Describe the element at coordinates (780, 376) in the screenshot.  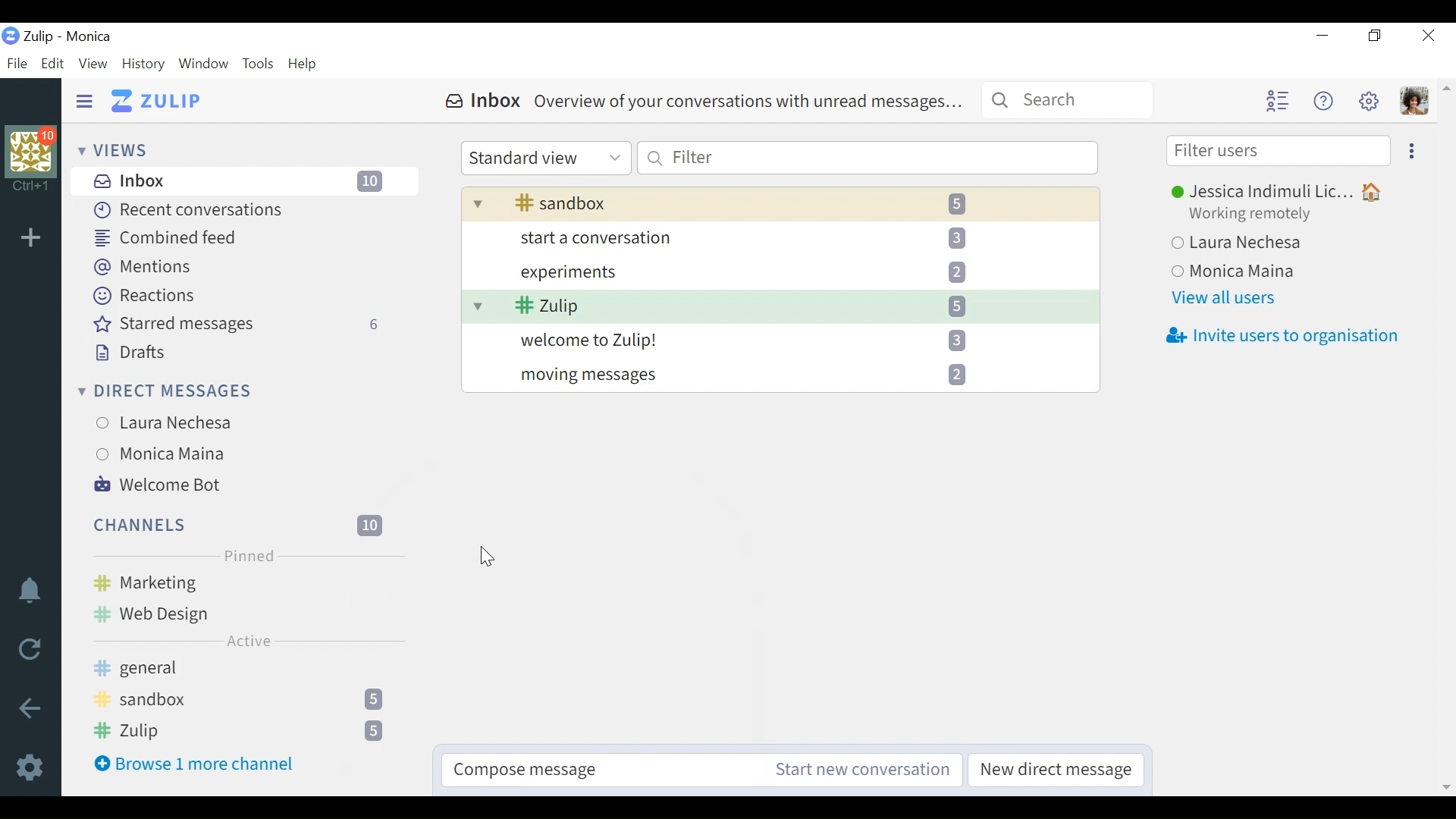
I see `Moving messages 2` at that location.